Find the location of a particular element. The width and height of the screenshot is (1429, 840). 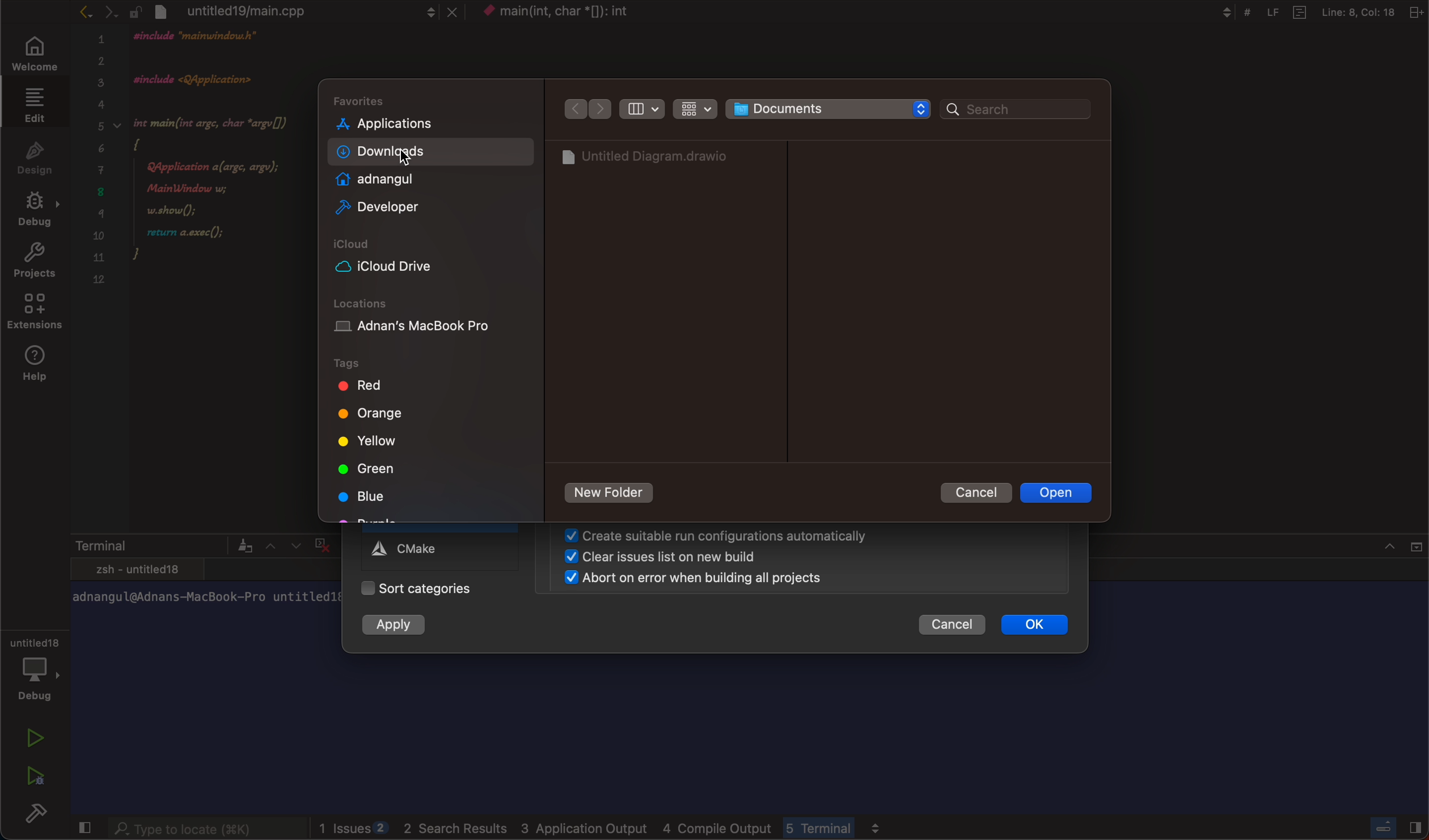

arrows is located at coordinates (585, 109).